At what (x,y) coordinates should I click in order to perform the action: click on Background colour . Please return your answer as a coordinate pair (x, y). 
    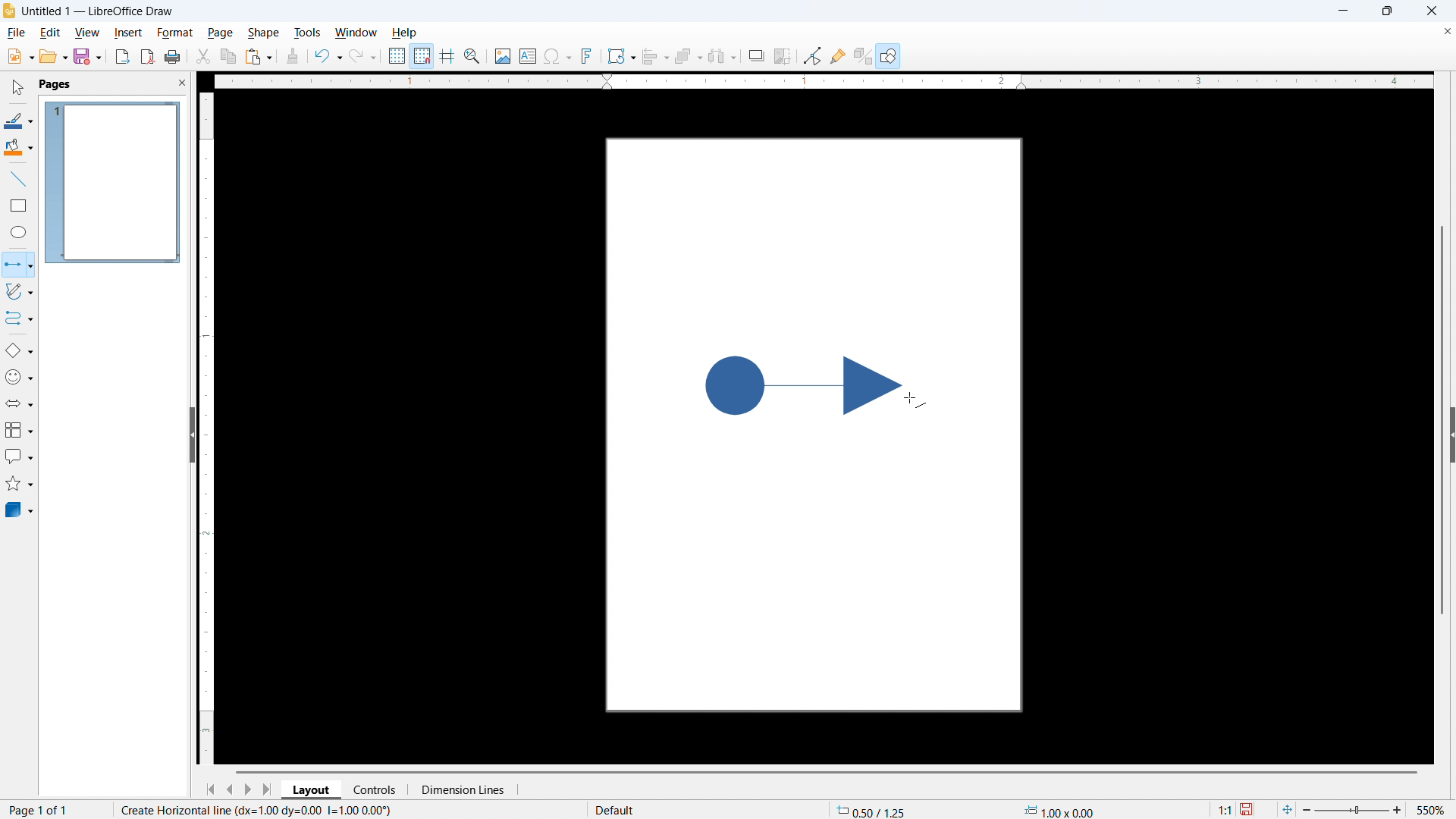
    Looking at the image, I should click on (19, 147).